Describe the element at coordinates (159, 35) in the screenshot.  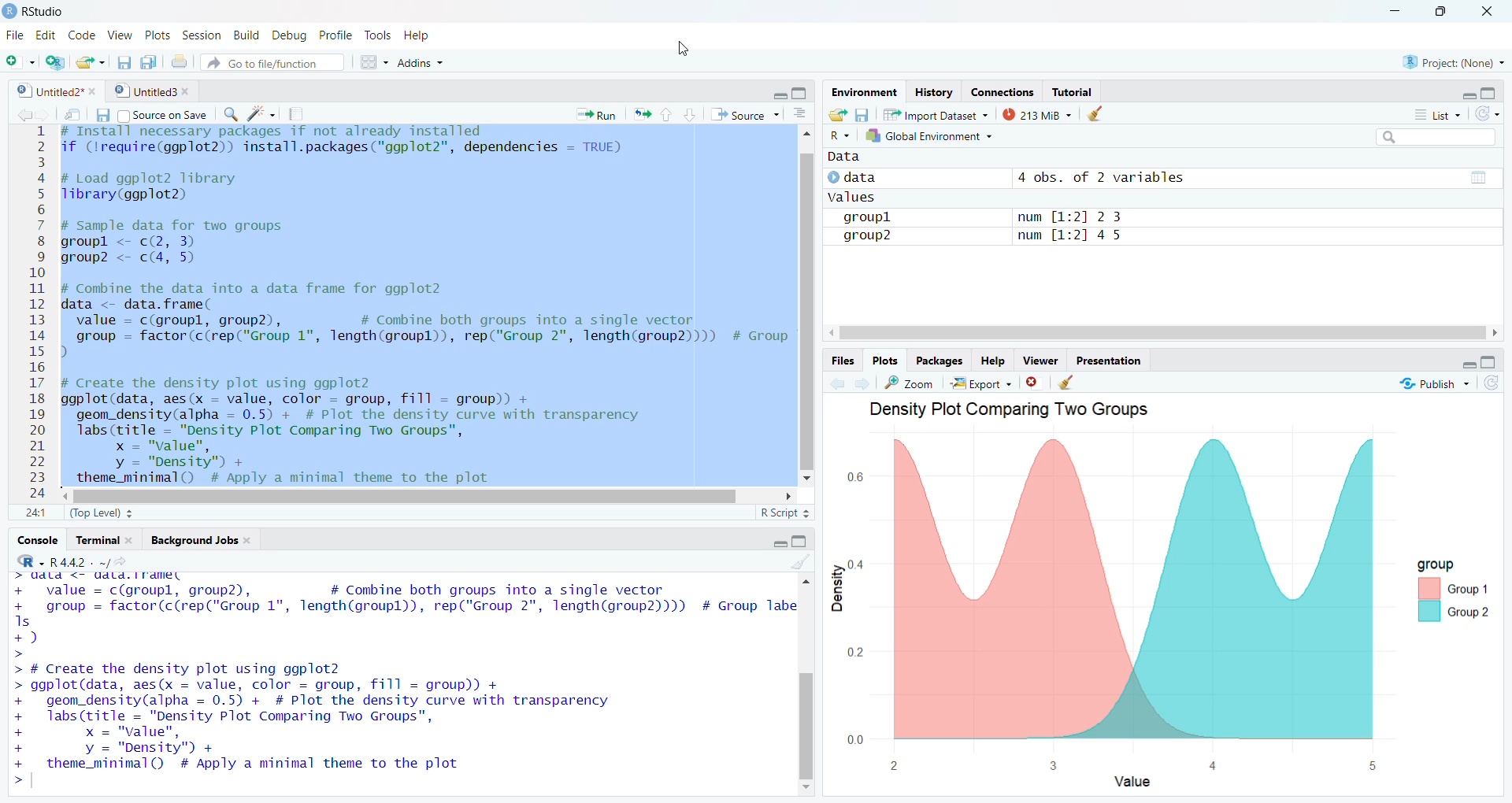
I see `ports` at that location.